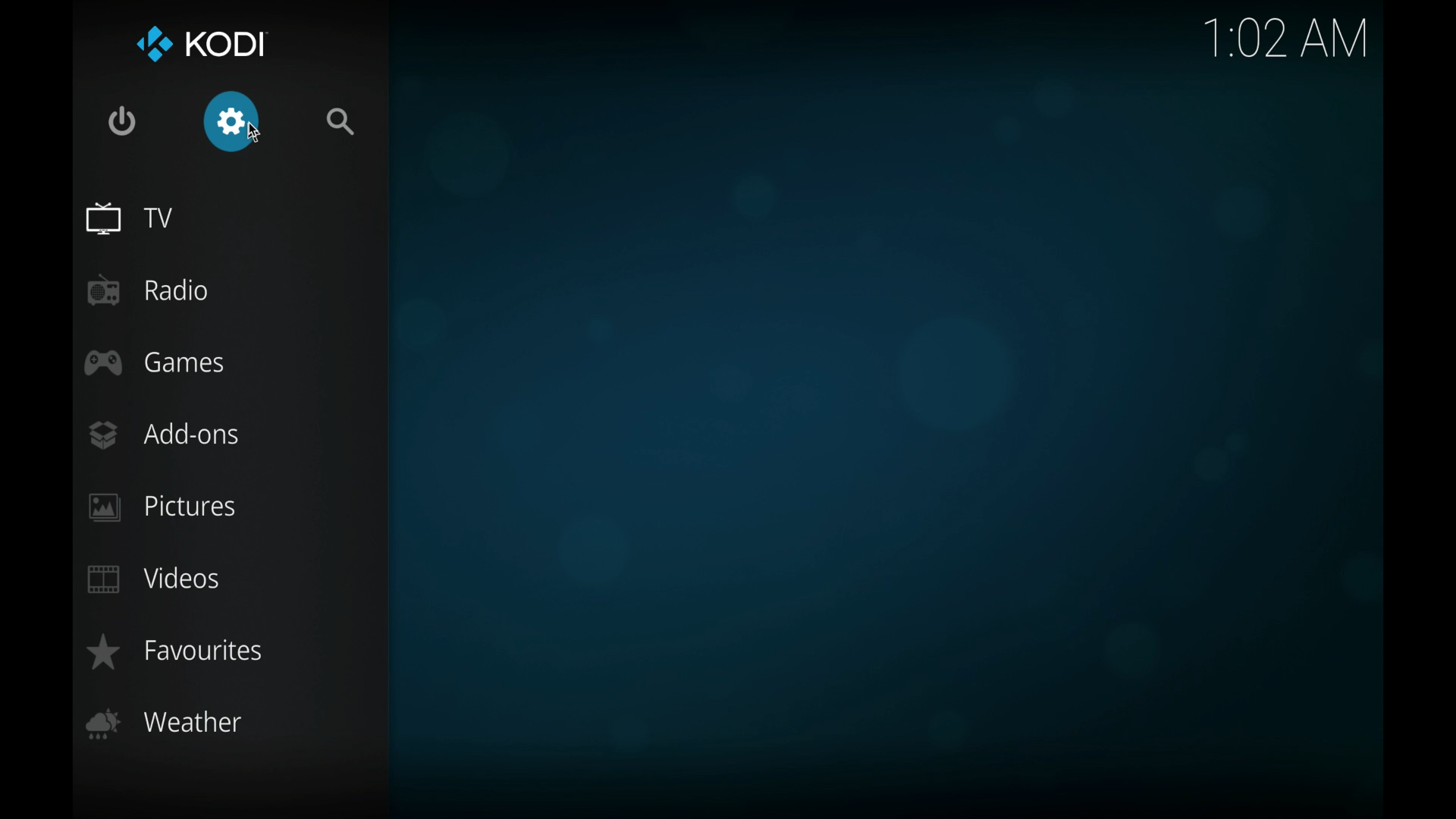 The height and width of the screenshot is (819, 1456). Describe the element at coordinates (162, 435) in the screenshot. I see `add-ons` at that location.